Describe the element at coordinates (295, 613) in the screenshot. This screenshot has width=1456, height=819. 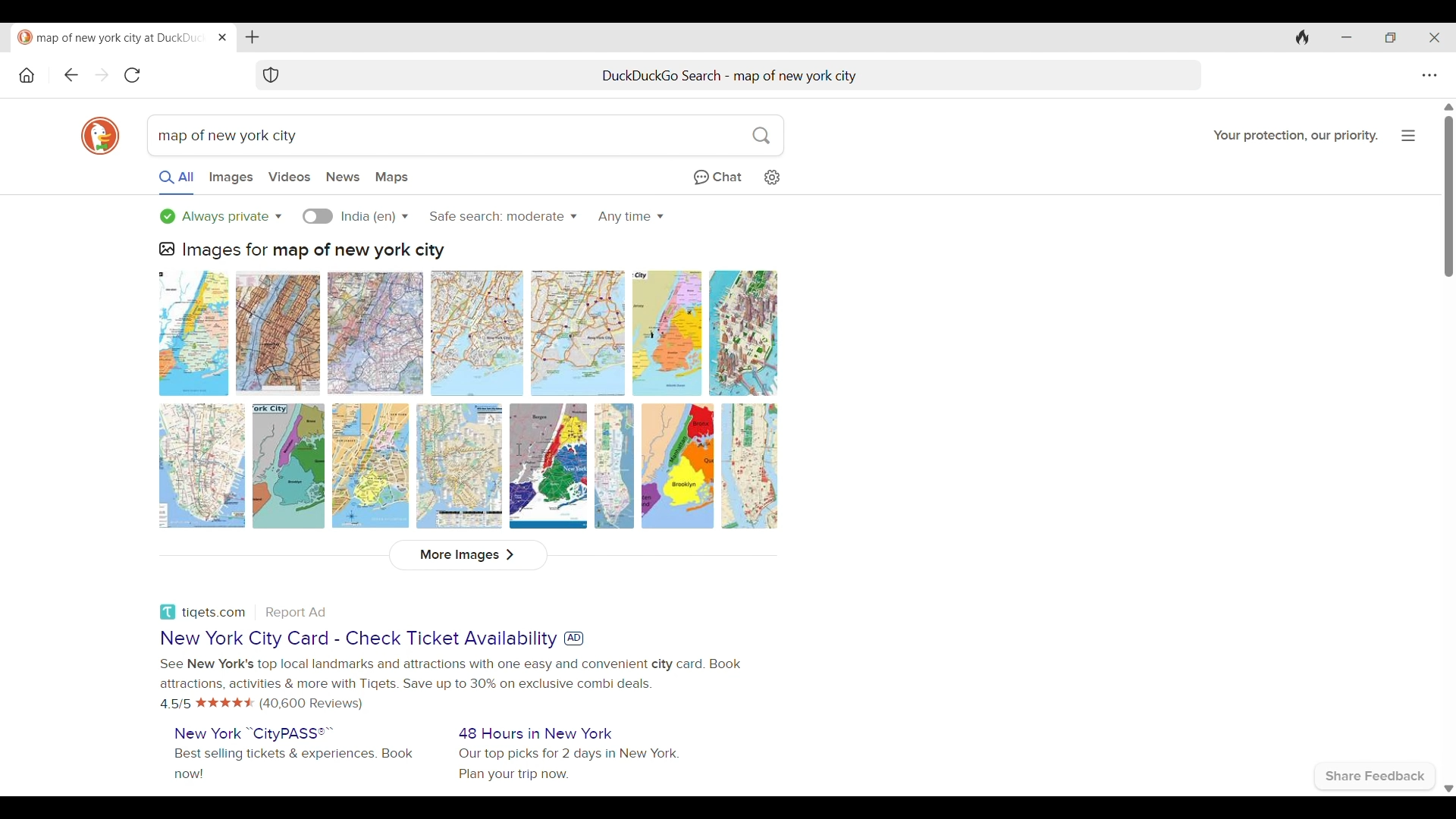
I see `Report Ad` at that location.